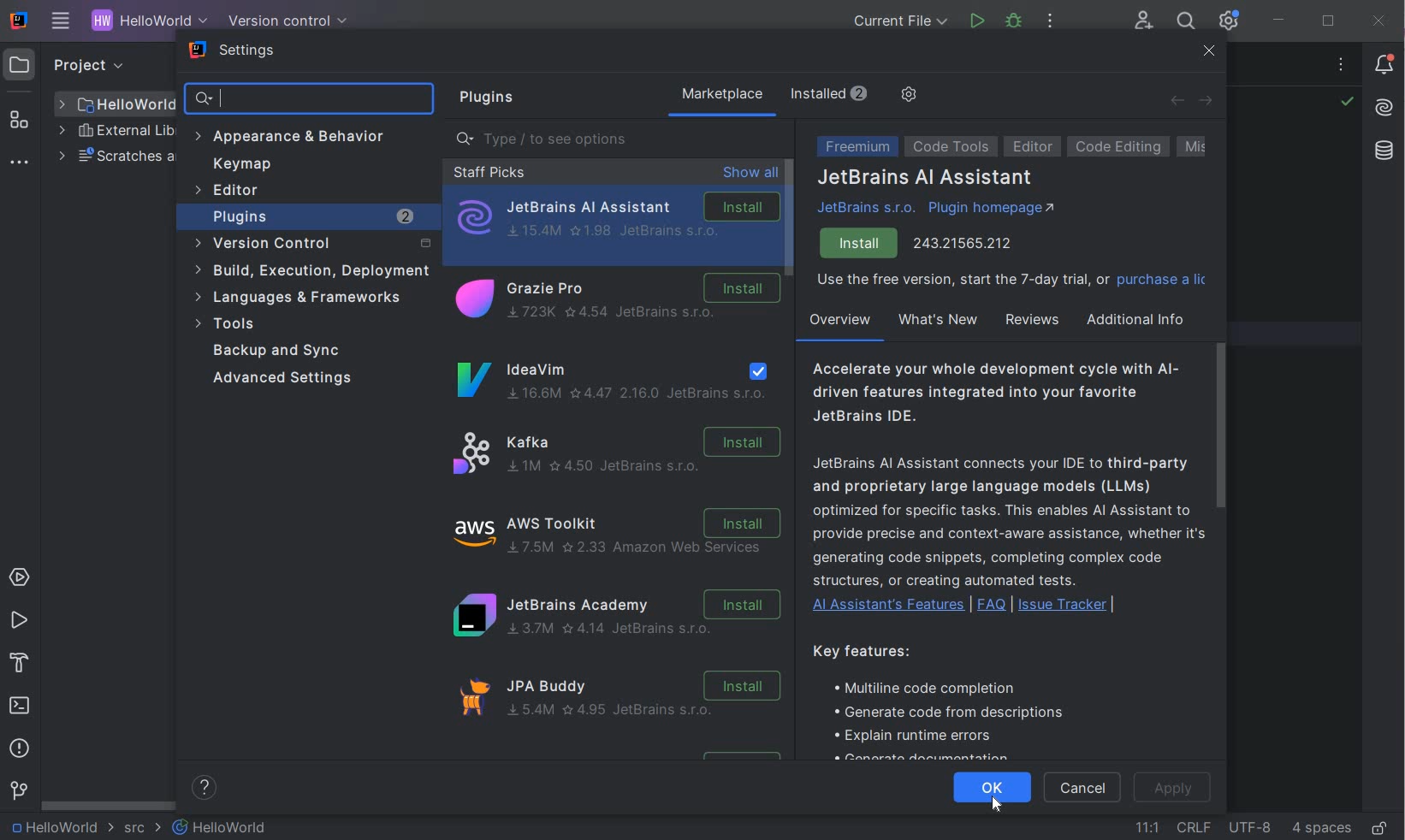 Image resolution: width=1405 pixels, height=840 pixels. Describe the element at coordinates (1017, 24) in the screenshot. I see `DEBUG` at that location.